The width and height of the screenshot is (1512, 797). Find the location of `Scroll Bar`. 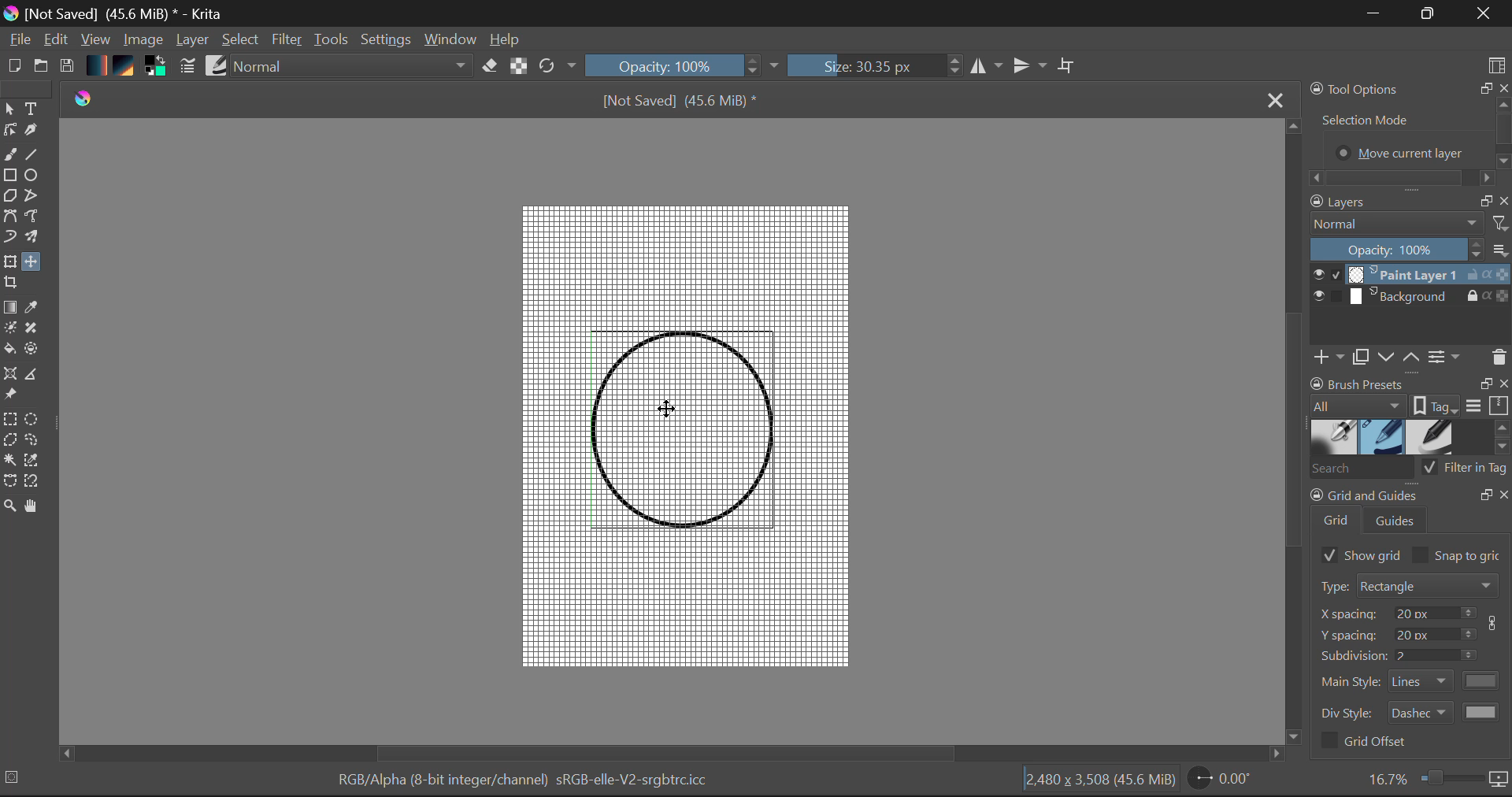

Scroll Bar is located at coordinates (1293, 432).